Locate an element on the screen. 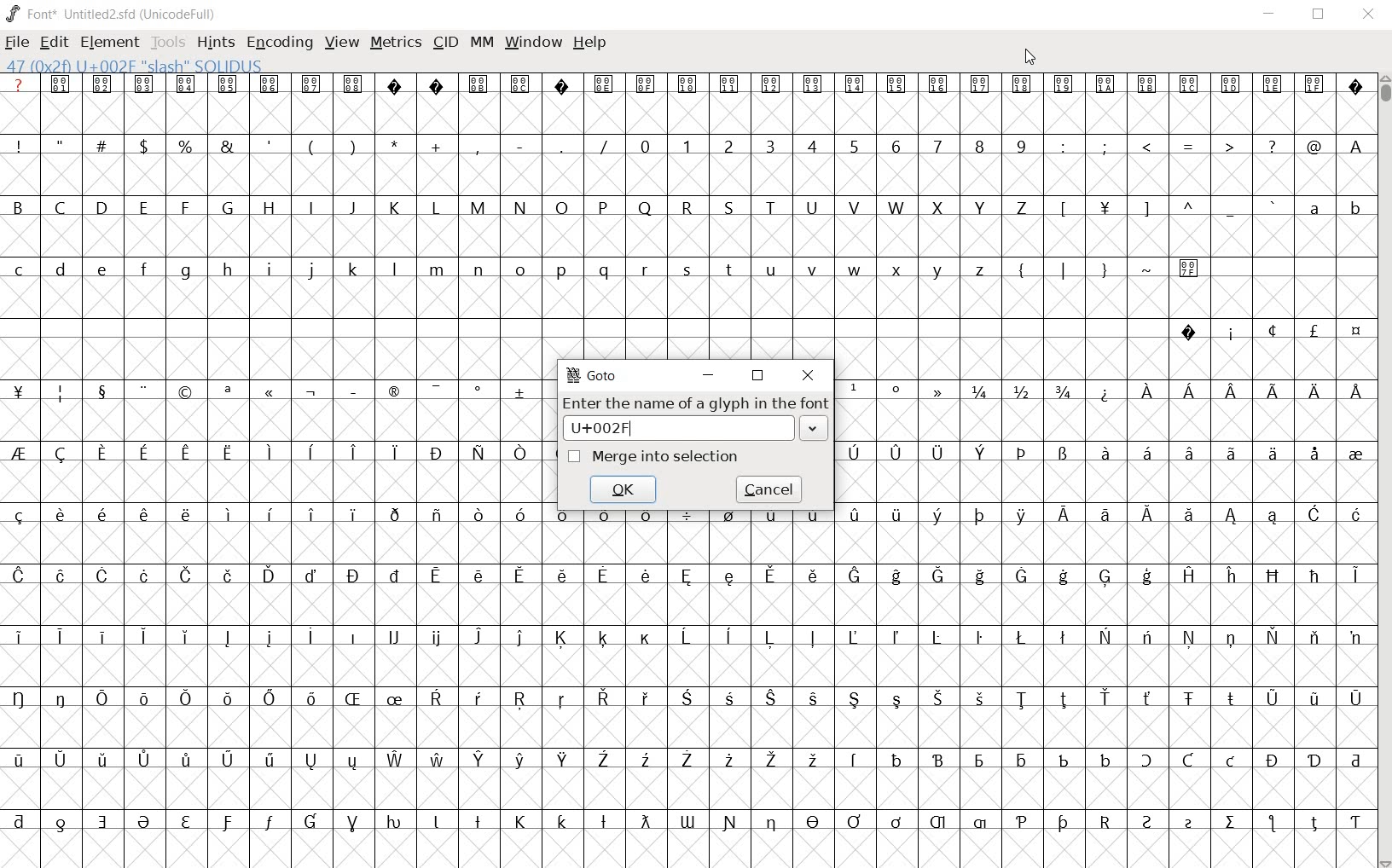 This screenshot has height=868, width=1392. symbols is located at coordinates (276, 392).